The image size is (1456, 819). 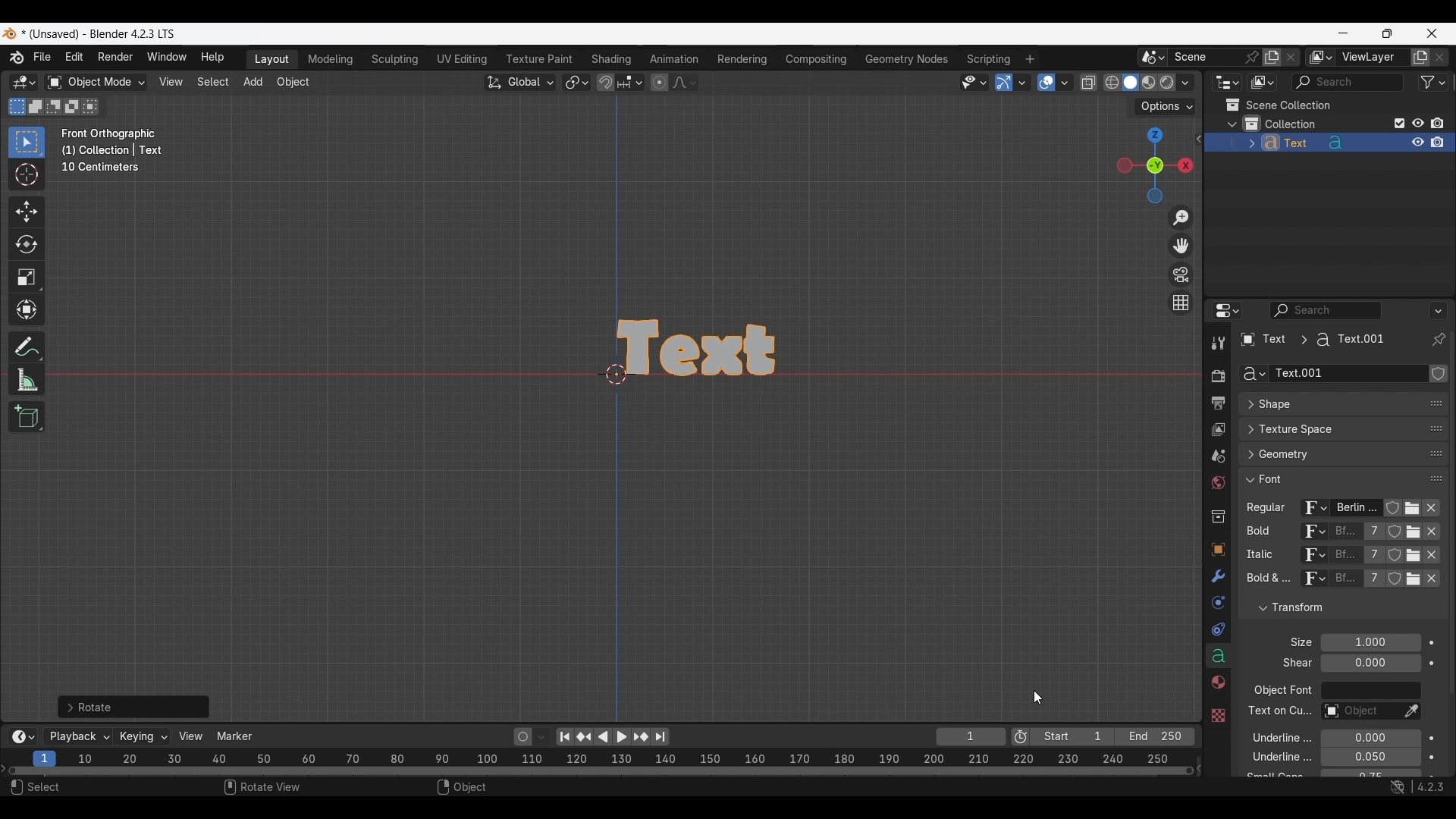 What do you see at coordinates (26, 311) in the screenshot?
I see `Transform` at bounding box center [26, 311].